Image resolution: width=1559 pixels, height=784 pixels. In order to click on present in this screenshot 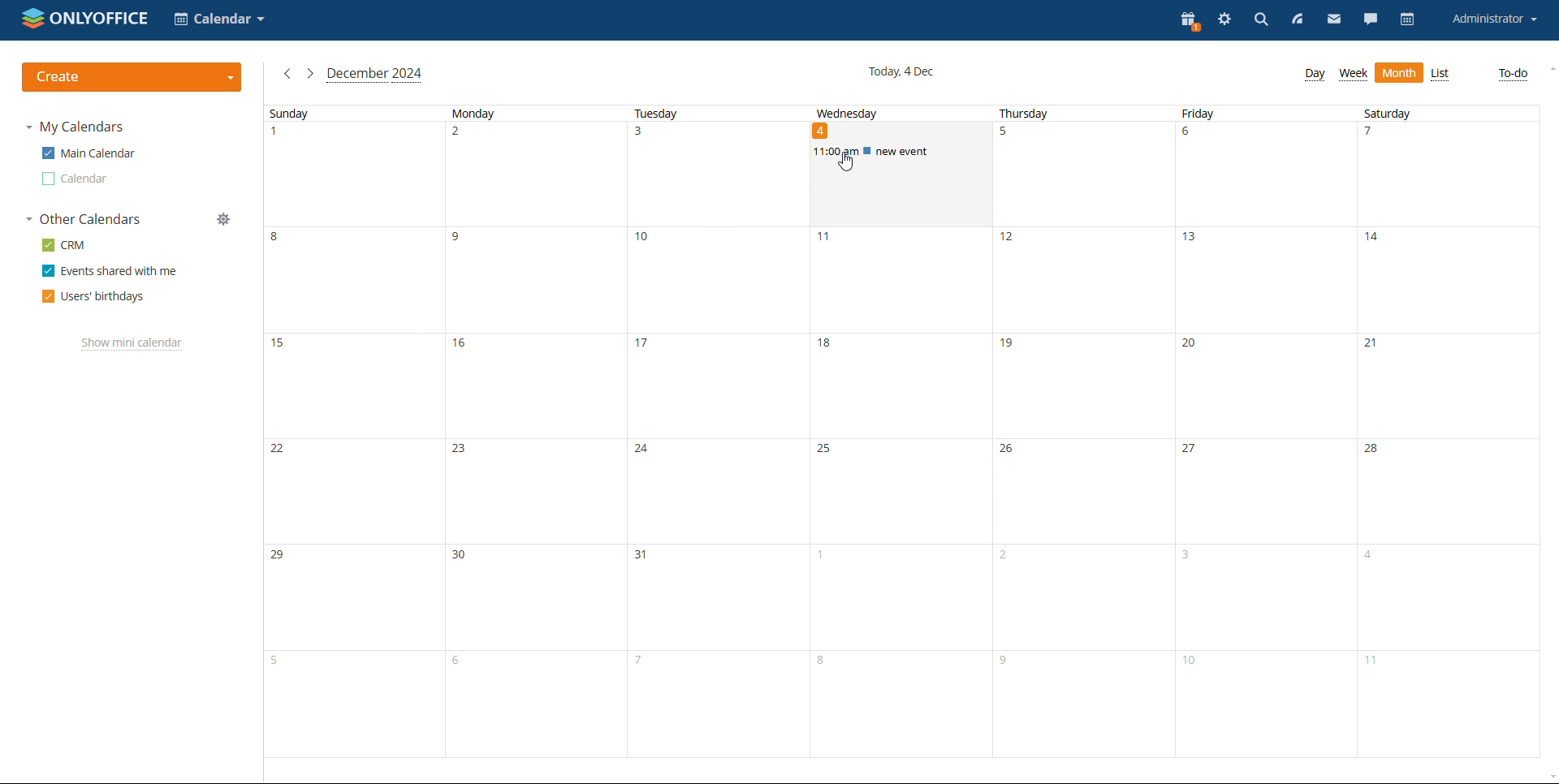, I will do `click(1189, 21)`.